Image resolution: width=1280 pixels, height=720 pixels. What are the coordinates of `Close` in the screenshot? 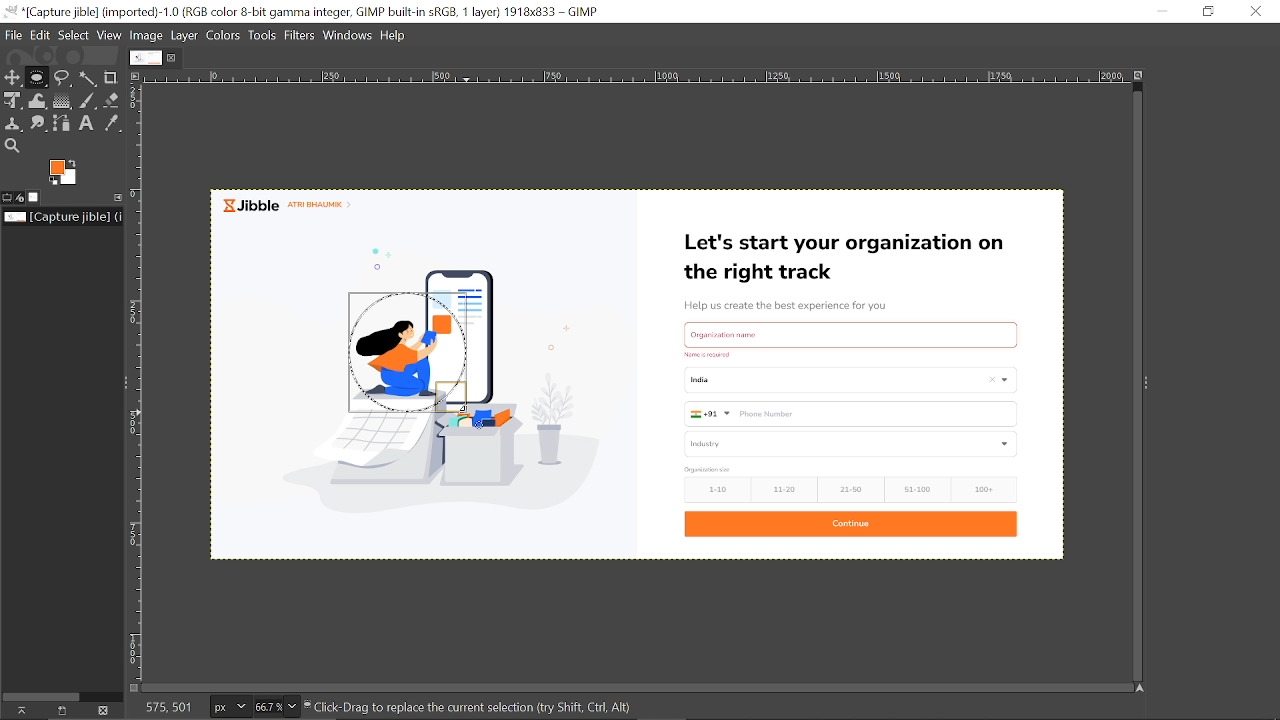 It's located at (1255, 11).